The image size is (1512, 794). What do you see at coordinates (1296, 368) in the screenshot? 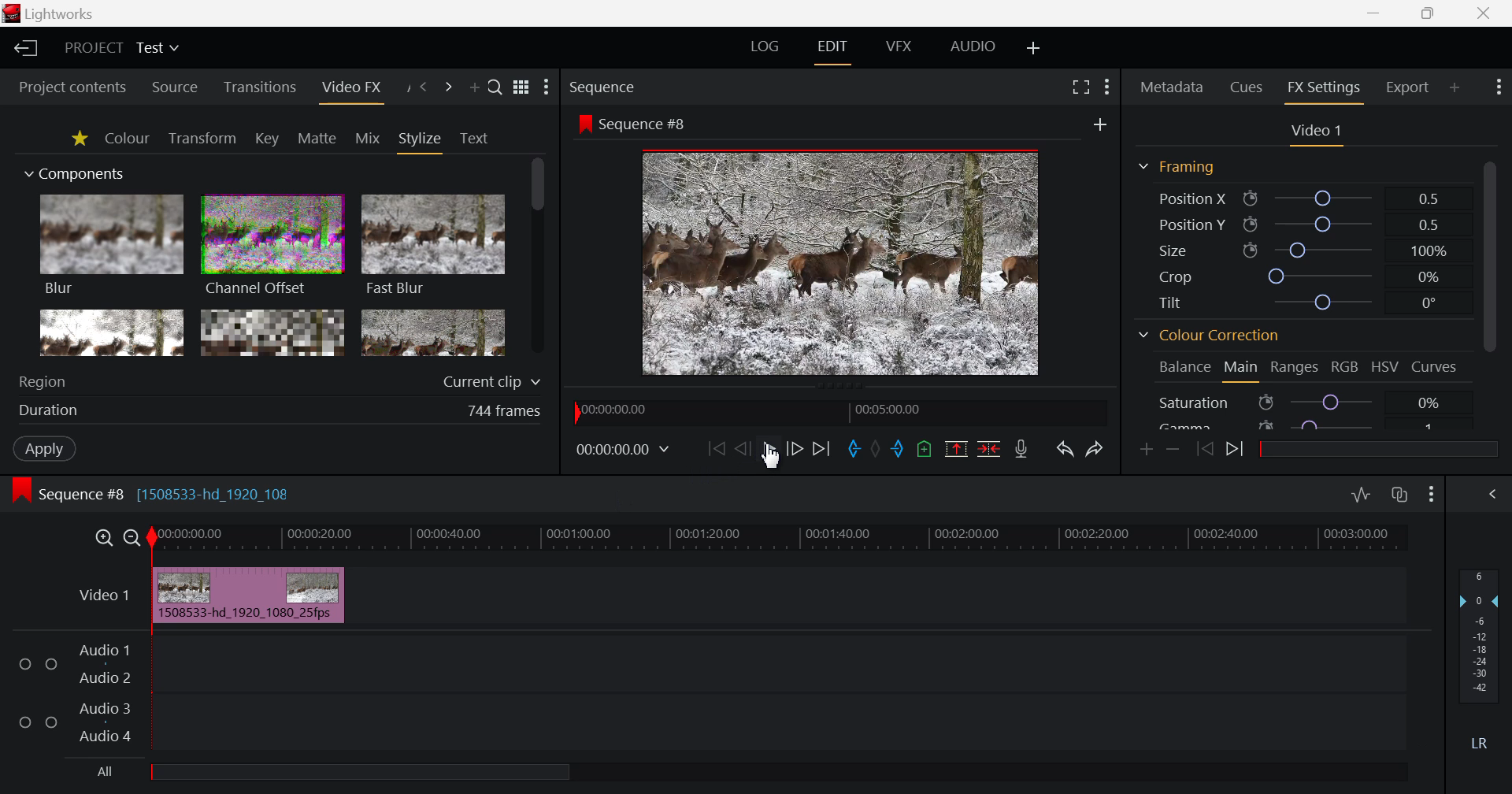
I see `Ranges` at bounding box center [1296, 368].